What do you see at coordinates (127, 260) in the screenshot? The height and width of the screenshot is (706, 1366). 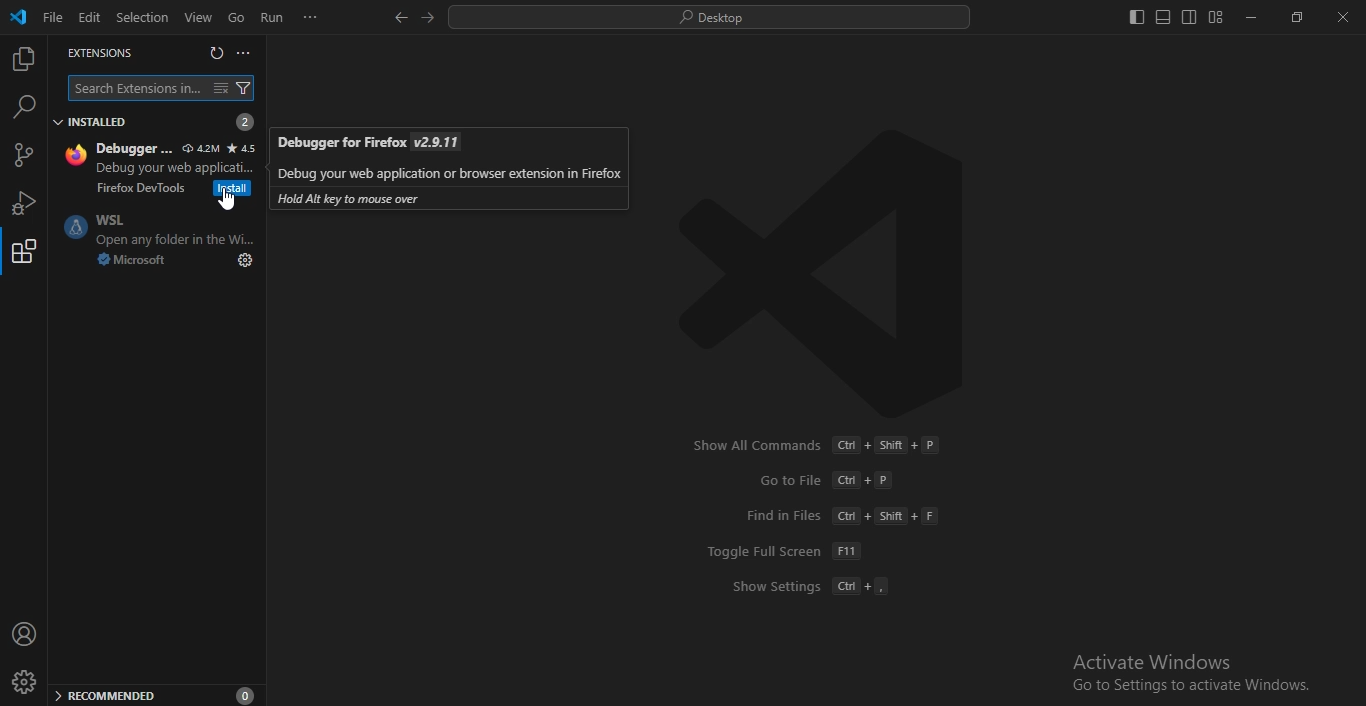 I see `microsoft` at bounding box center [127, 260].